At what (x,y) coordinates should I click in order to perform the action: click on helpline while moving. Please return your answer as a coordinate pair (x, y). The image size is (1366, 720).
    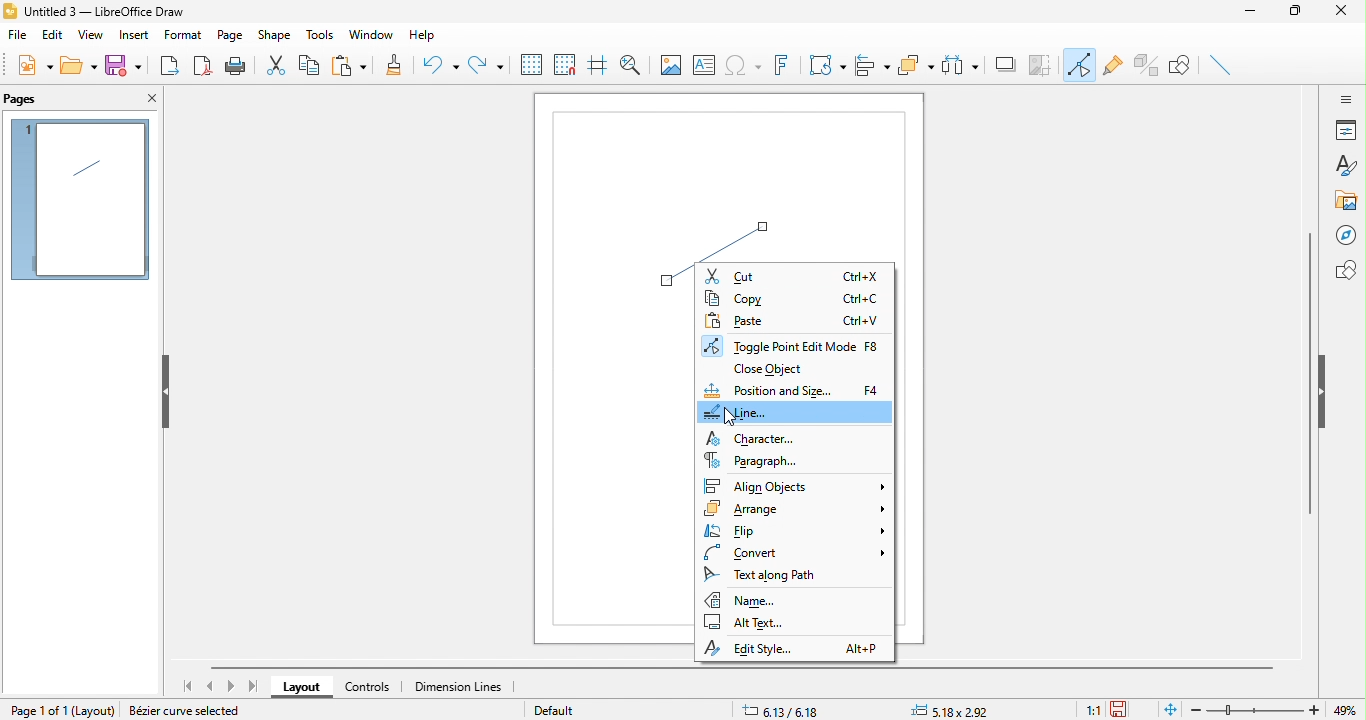
    Looking at the image, I should click on (596, 67).